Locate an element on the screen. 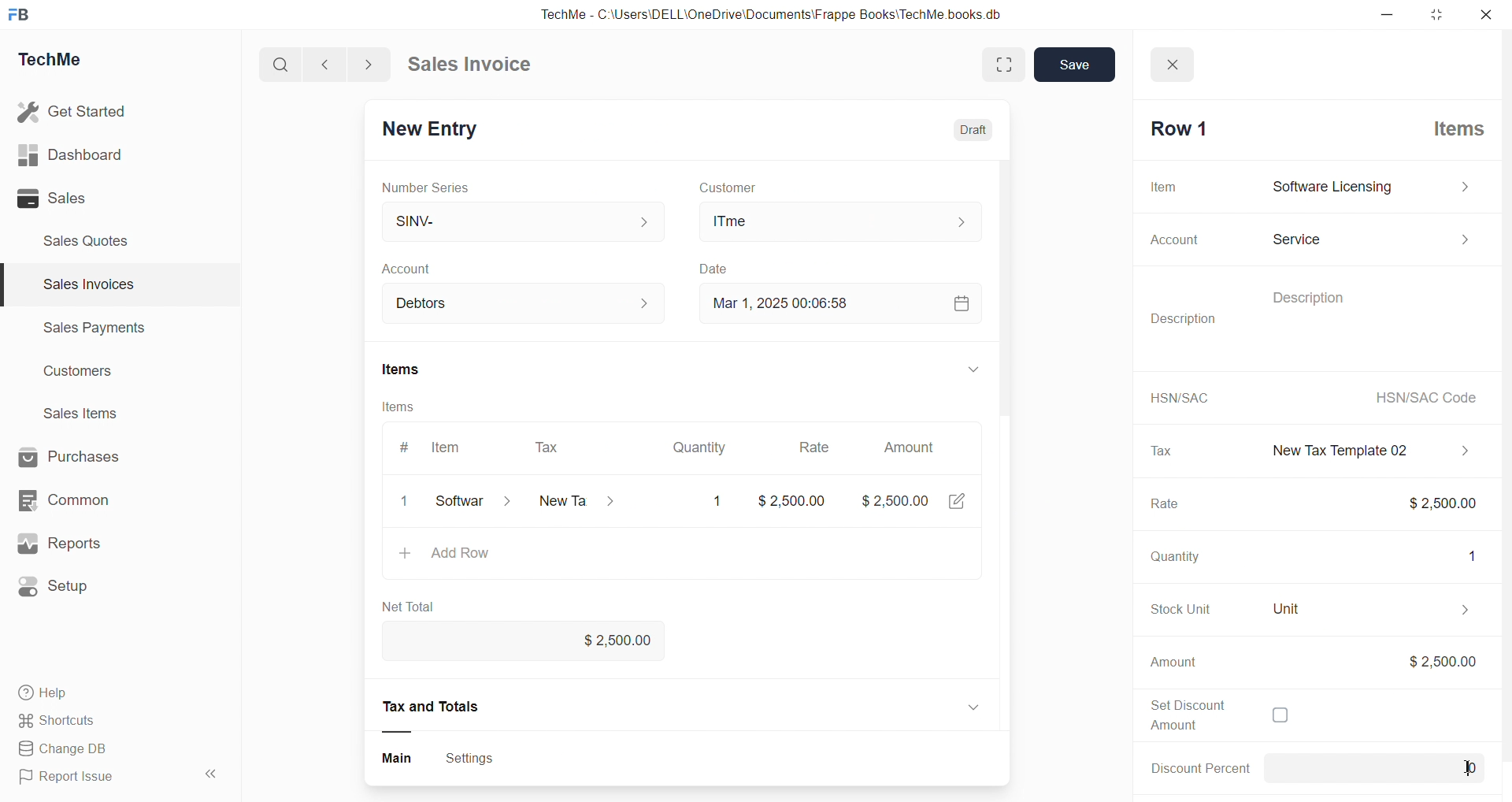  Stock Unit is located at coordinates (1171, 609).